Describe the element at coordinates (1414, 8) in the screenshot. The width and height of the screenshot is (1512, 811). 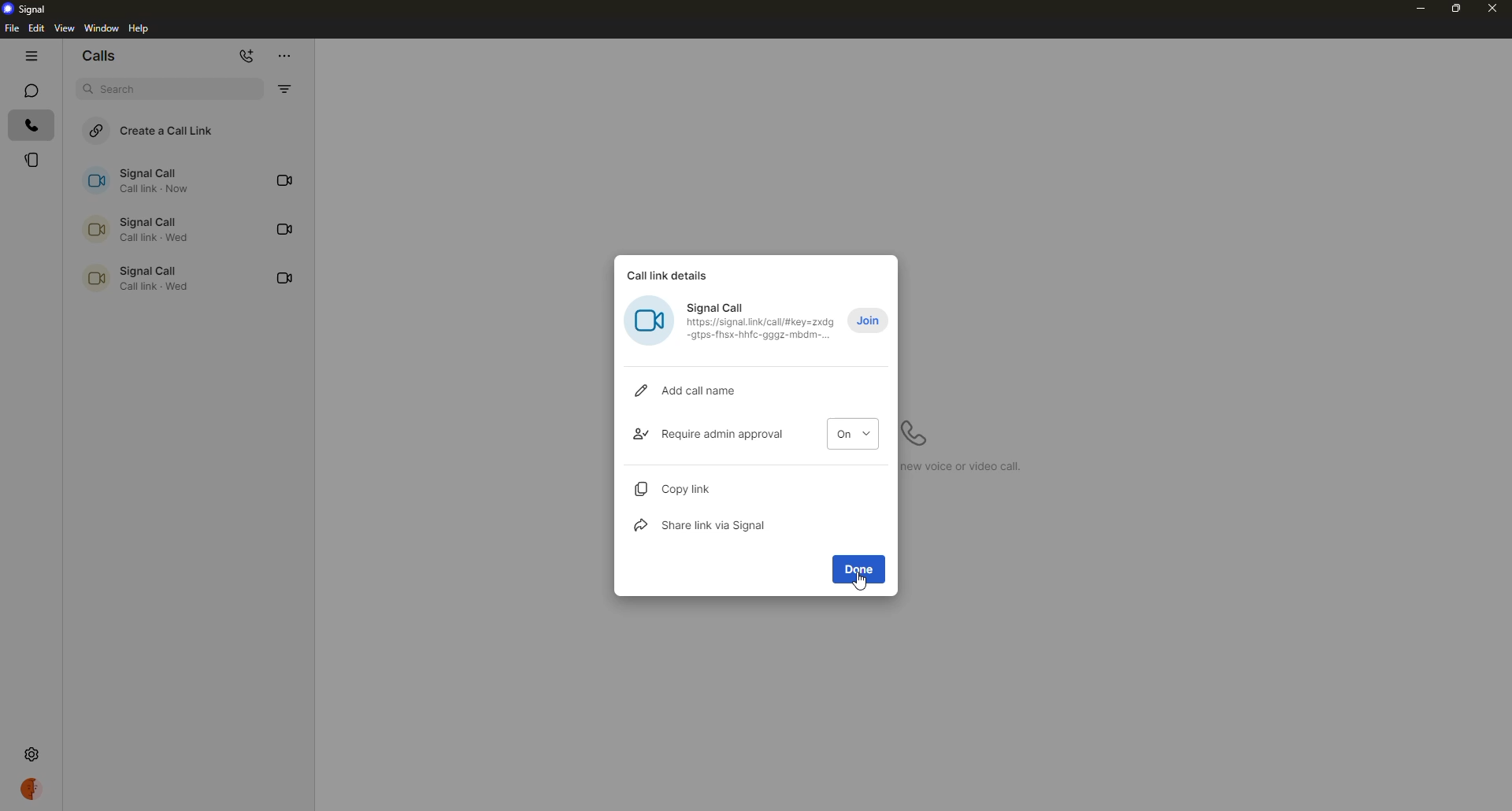
I see `` at that location.